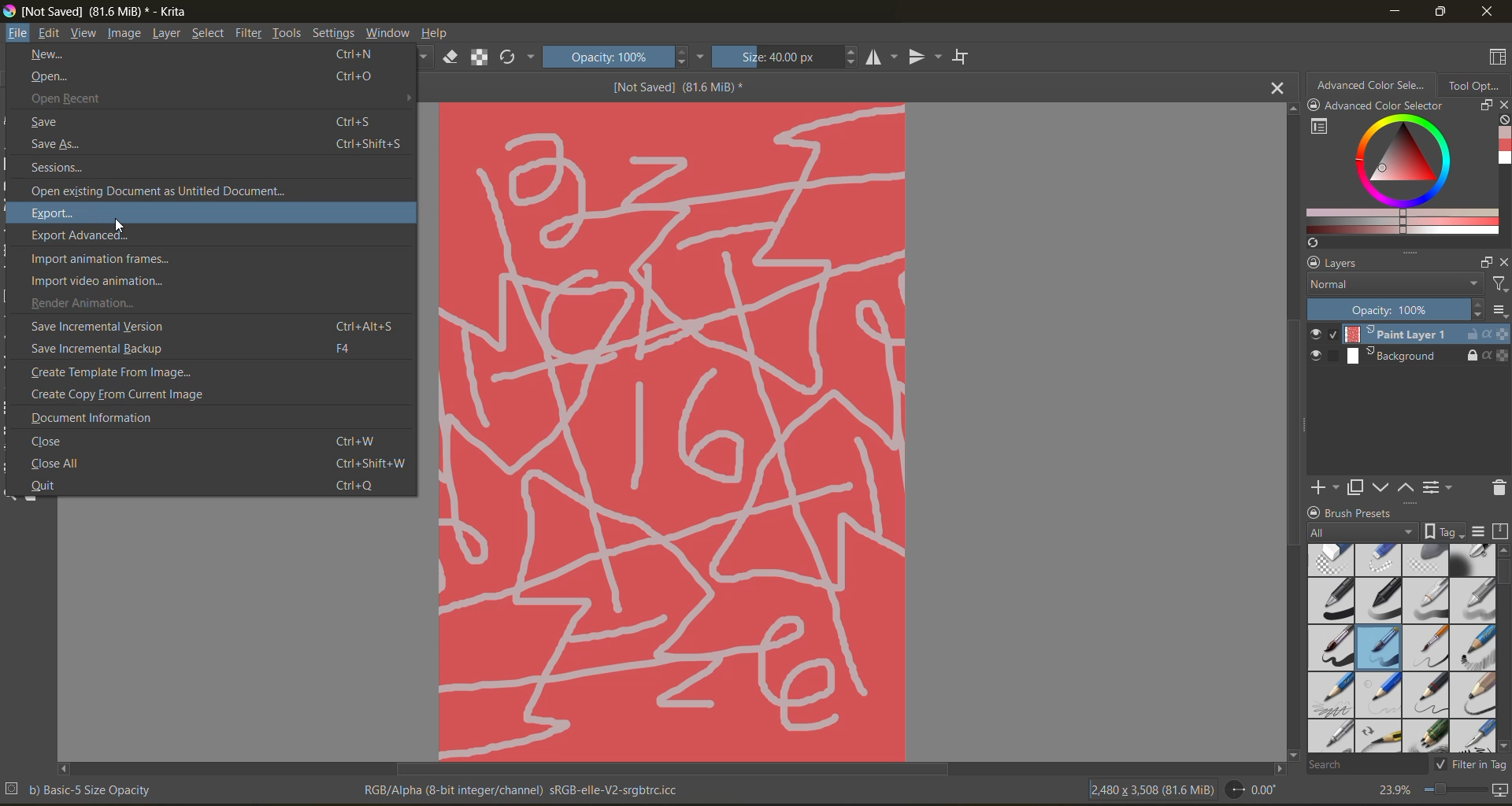 Image resolution: width=1512 pixels, height=806 pixels. What do you see at coordinates (99, 282) in the screenshot?
I see `import video animation` at bounding box center [99, 282].